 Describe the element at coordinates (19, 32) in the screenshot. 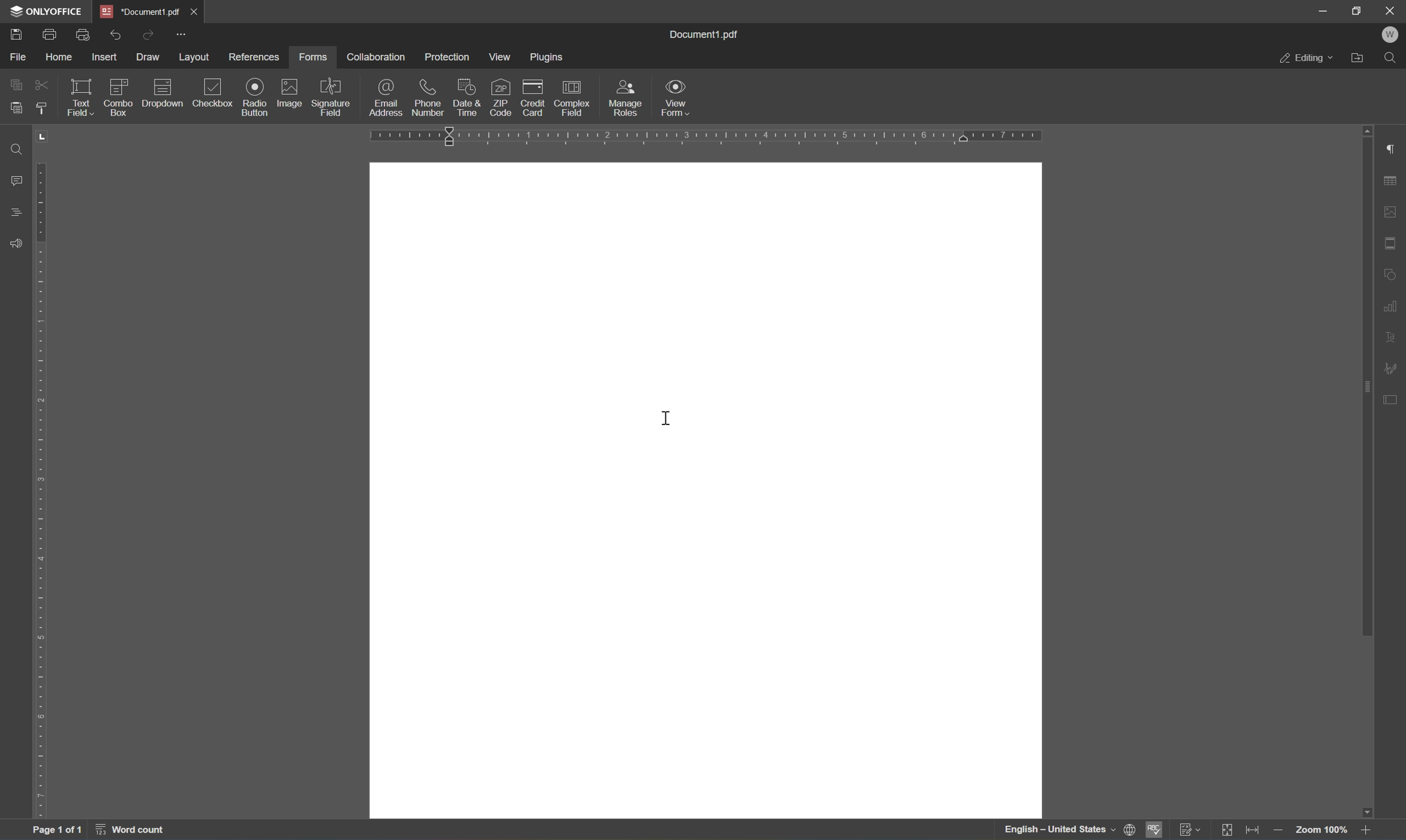

I see `save` at that location.